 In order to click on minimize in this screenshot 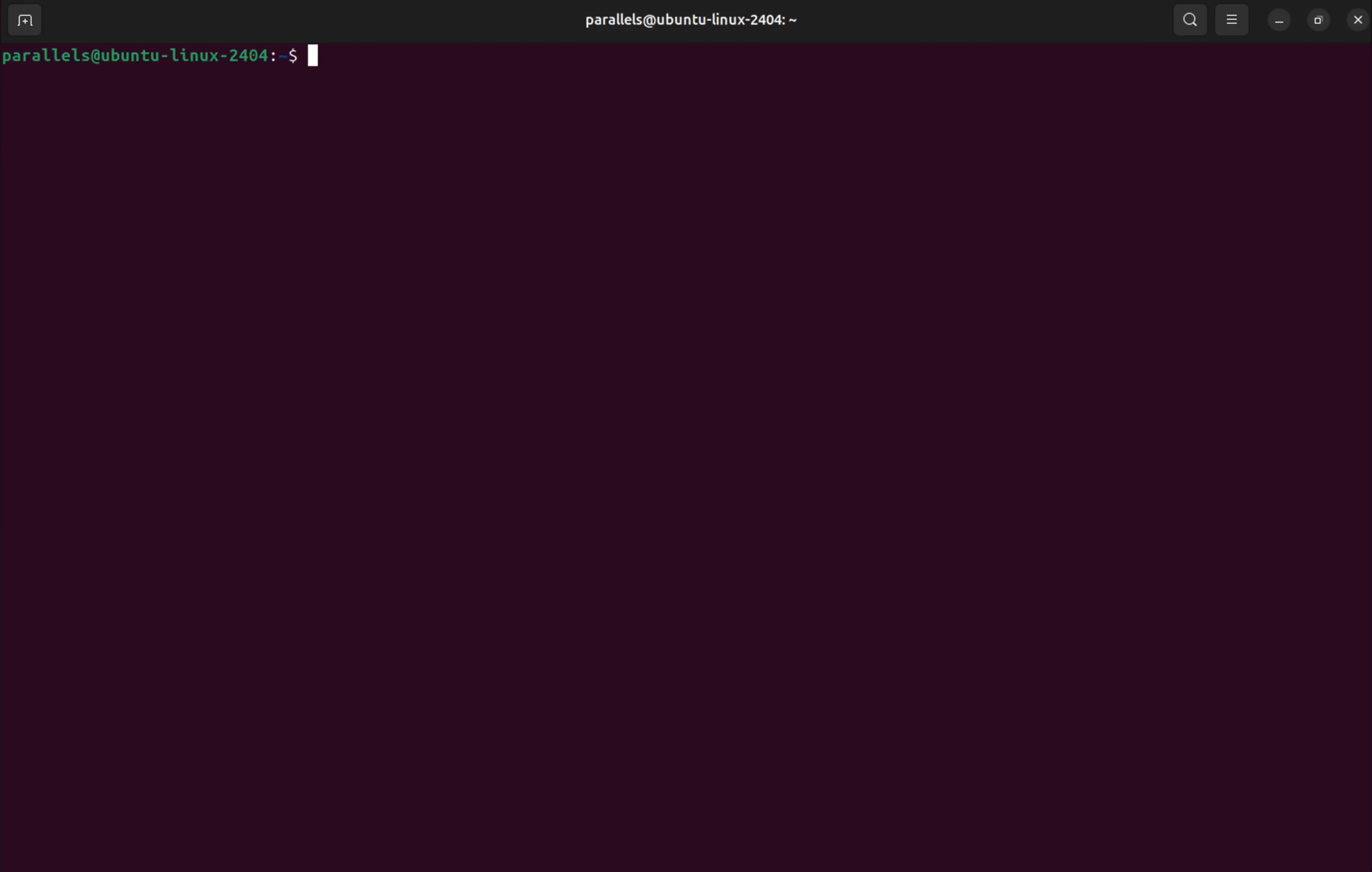, I will do `click(1279, 22)`.